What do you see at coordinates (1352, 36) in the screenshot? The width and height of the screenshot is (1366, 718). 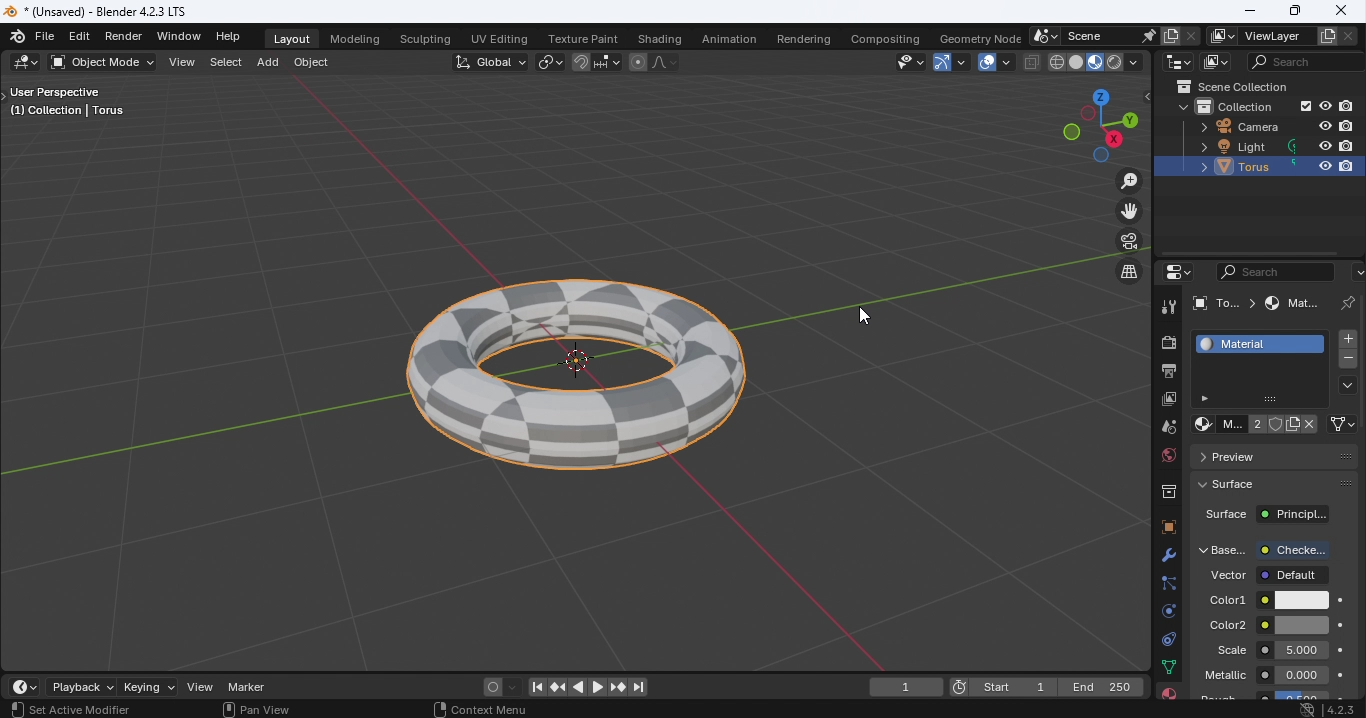 I see `Remove view layer` at bounding box center [1352, 36].